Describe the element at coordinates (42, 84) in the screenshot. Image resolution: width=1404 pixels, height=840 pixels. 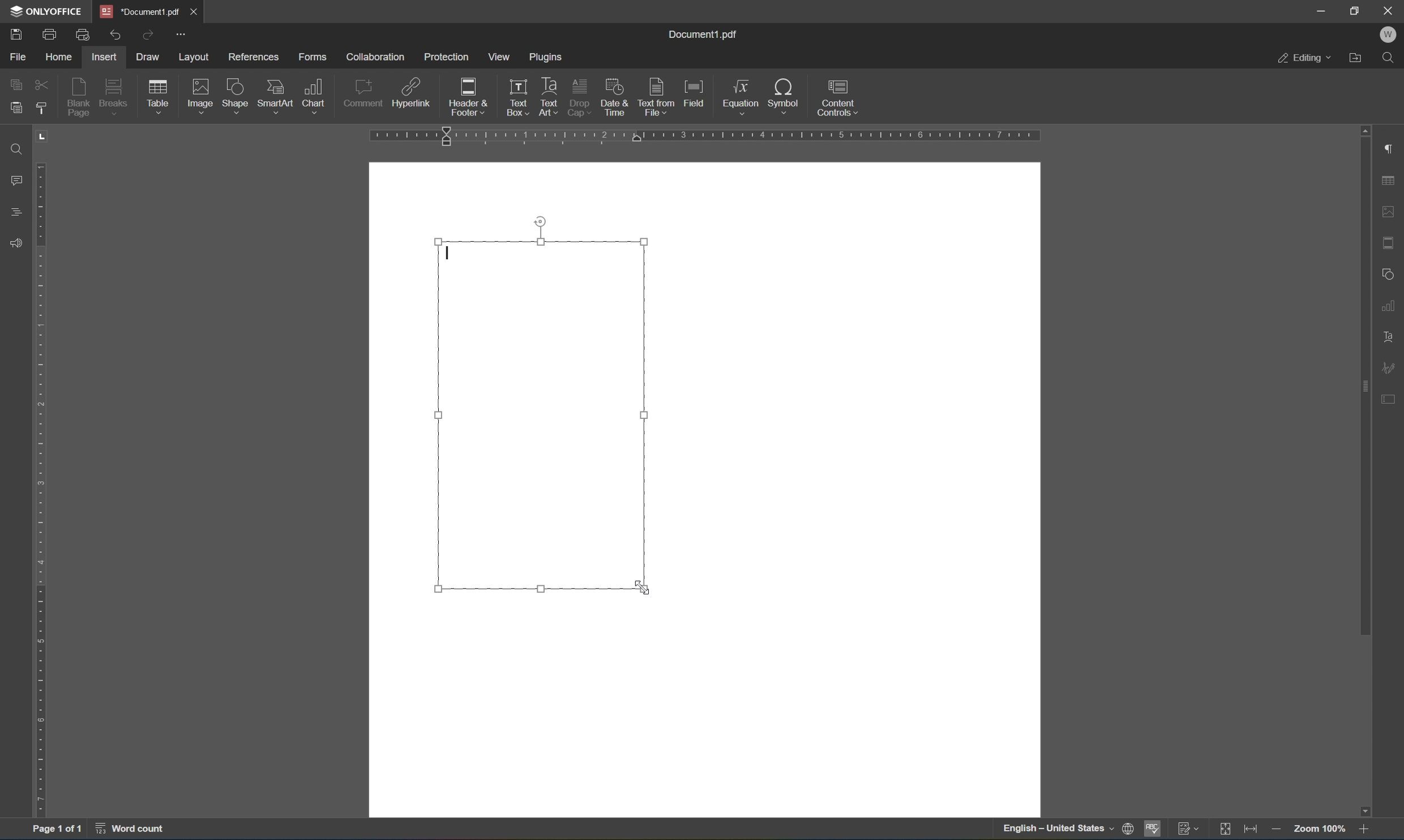
I see `cut` at that location.